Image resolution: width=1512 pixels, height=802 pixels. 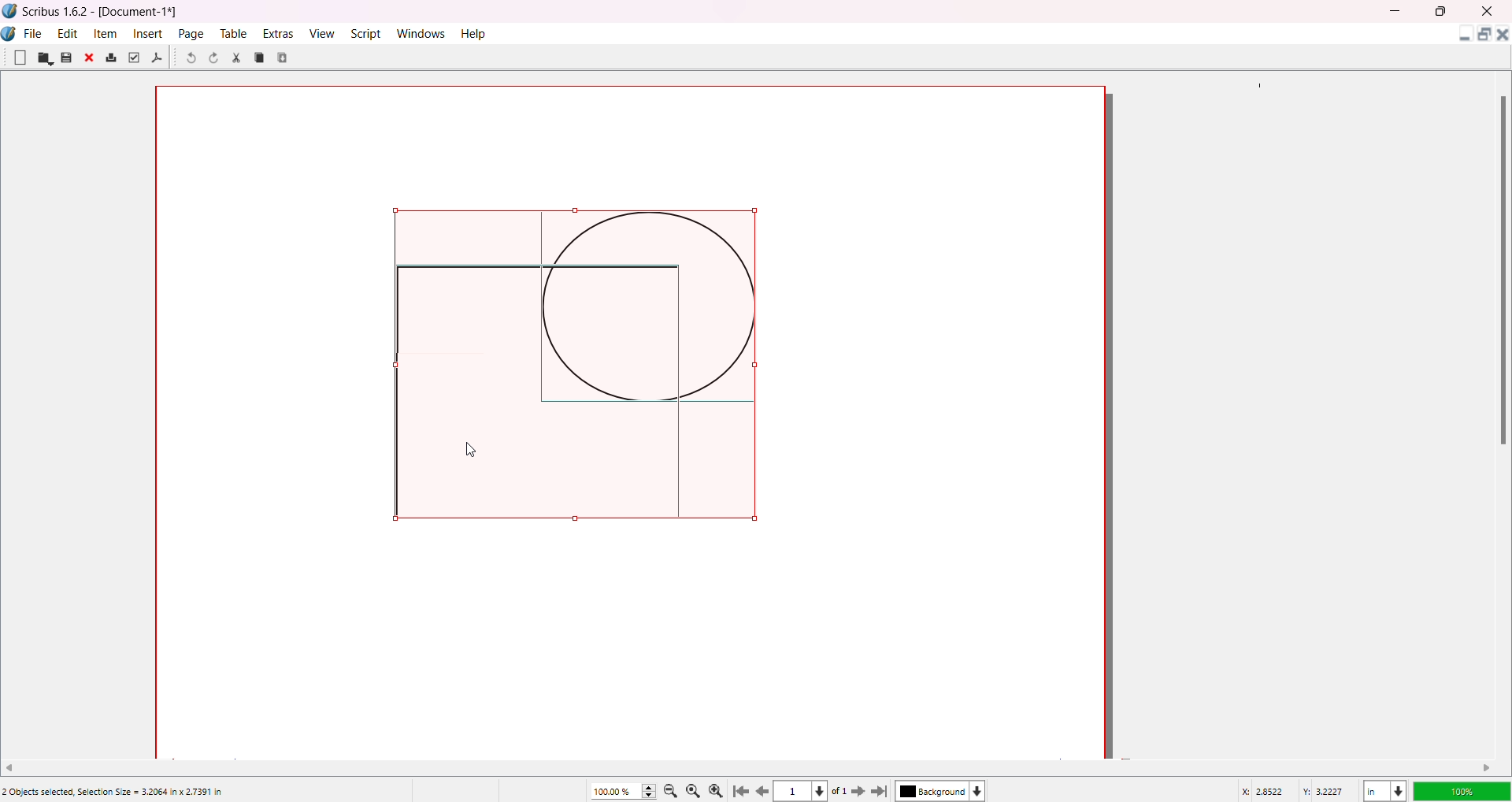 What do you see at coordinates (743, 789) in the screenshot?
I see `First Page` at bounding box center [743, 789].